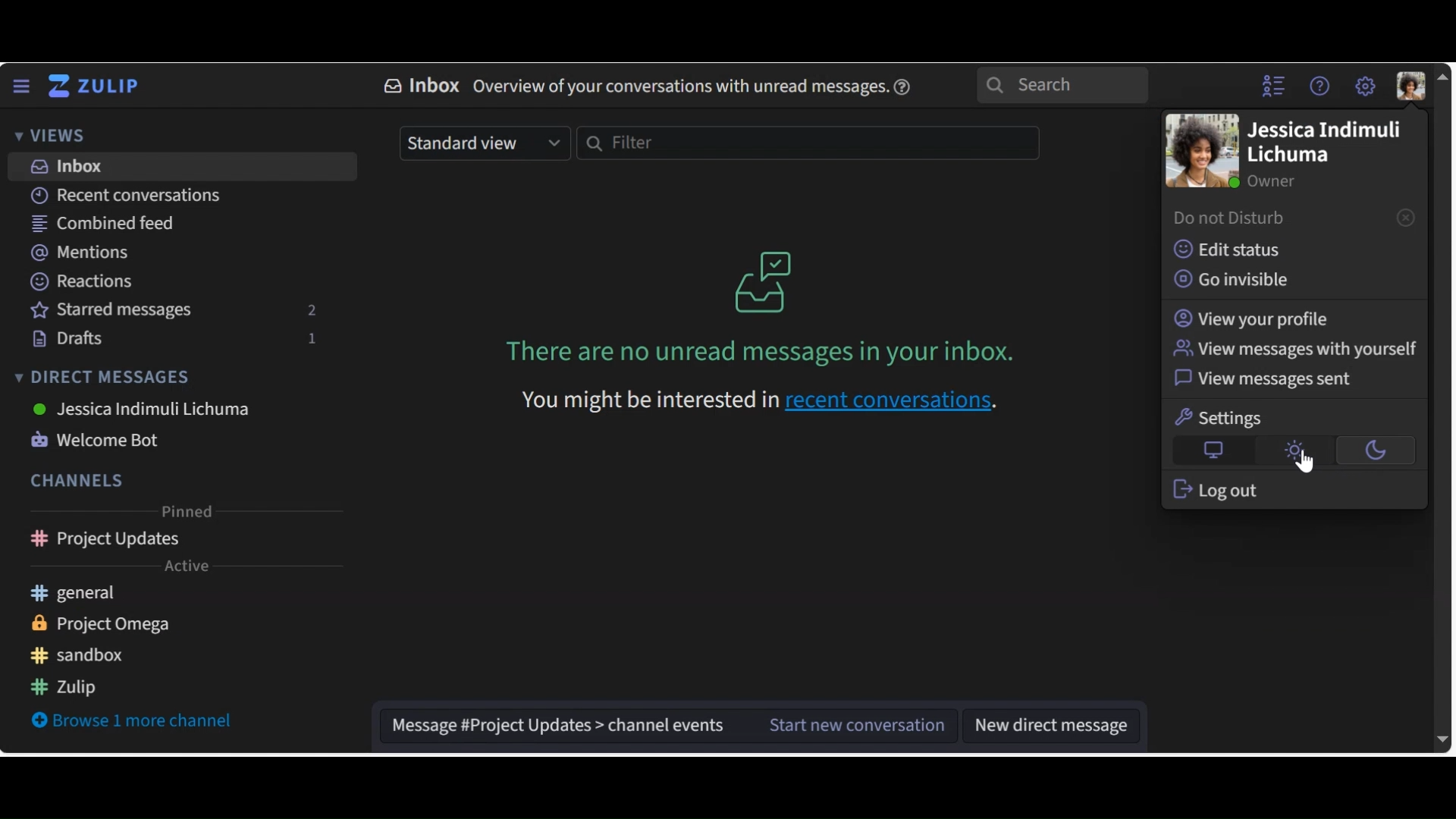 This screenshot has width=1456, height=819. Describe the element at coordinates (1050, 726) in the screenshot. I see `New Direct message` at that location.